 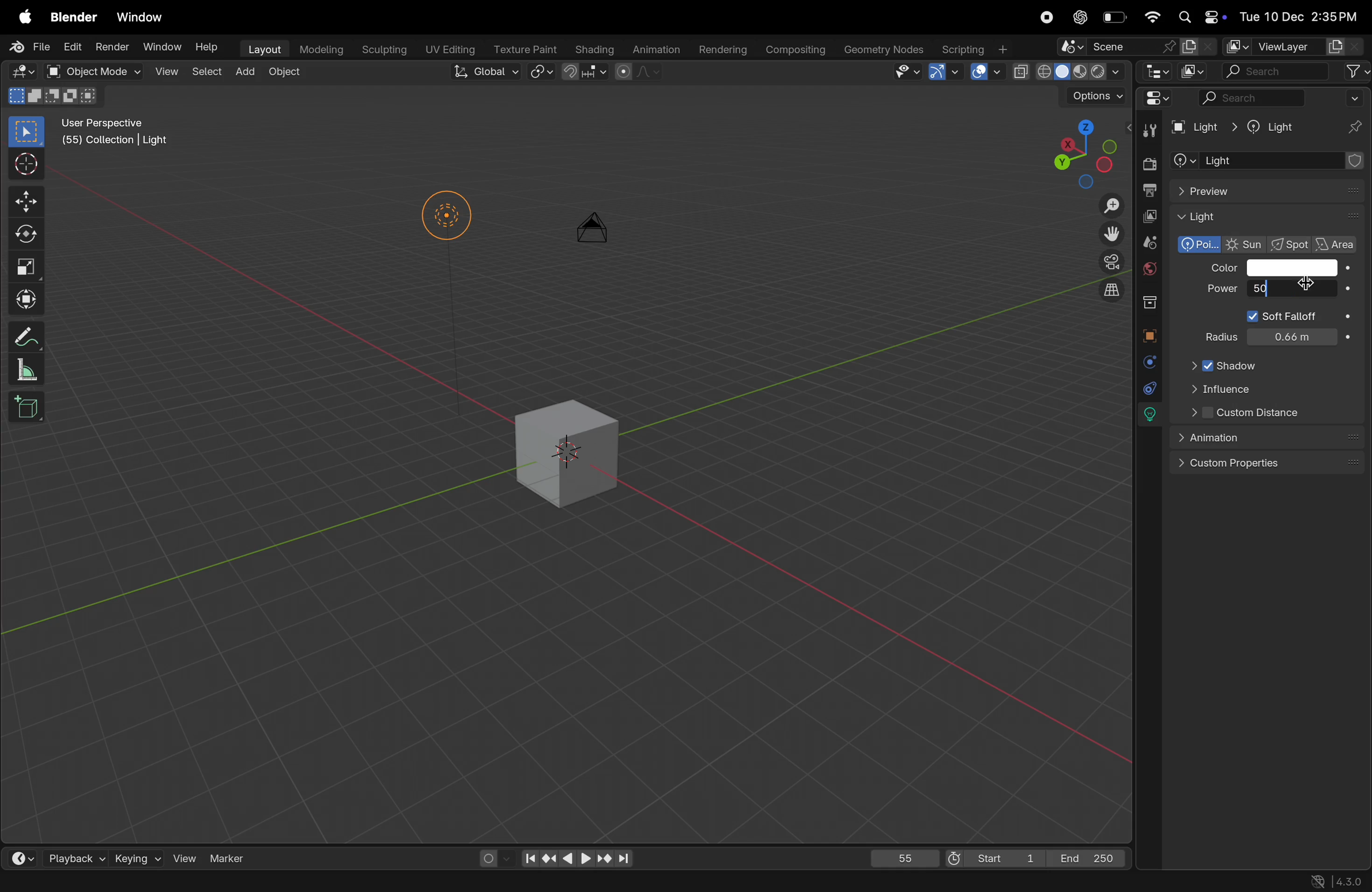 I want to click on Show gimzo, so click(x=941, y=71).